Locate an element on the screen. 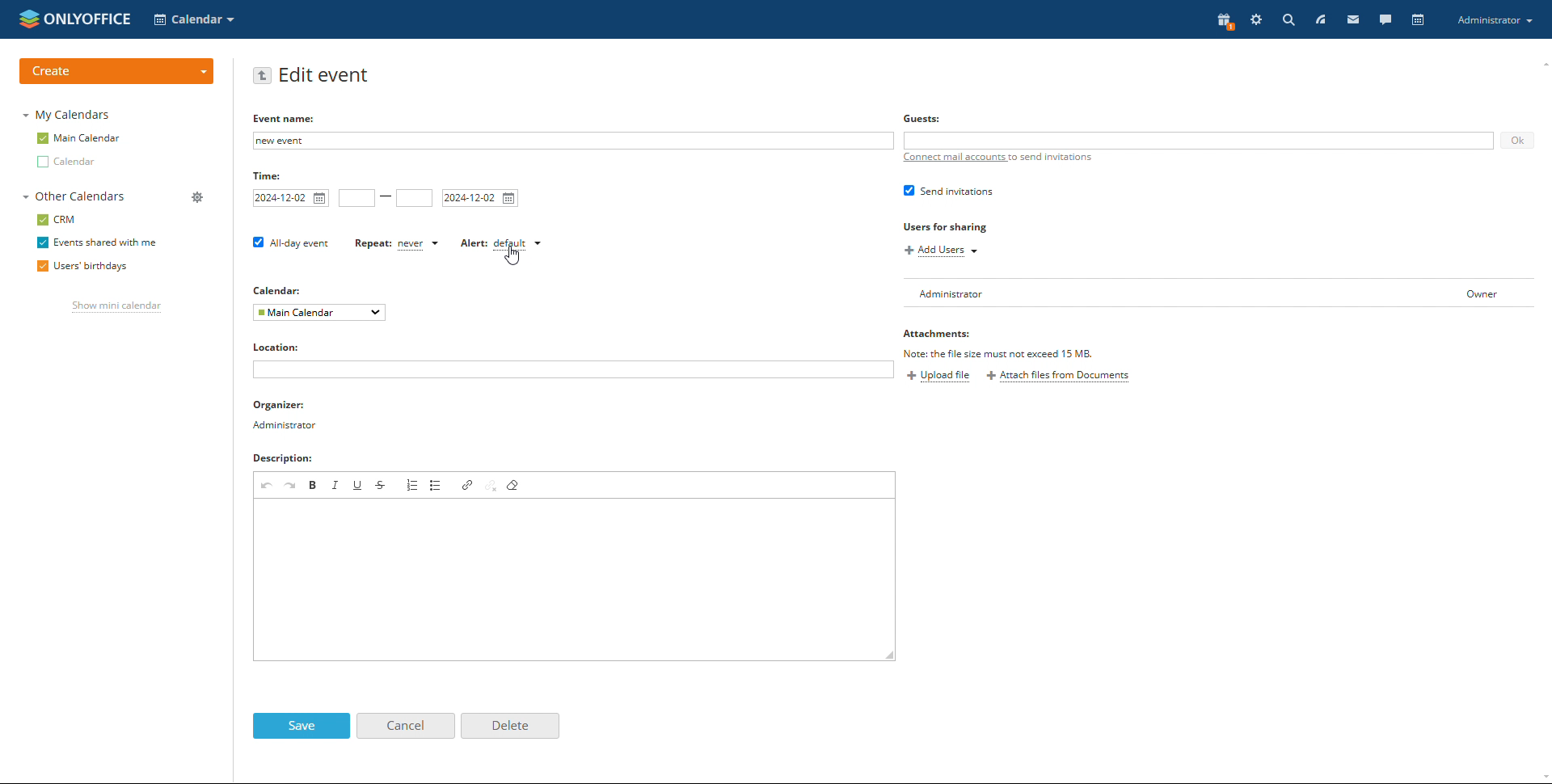 This screenshot has height=784, width=1552. setting is located at coordinates (1256, 20).